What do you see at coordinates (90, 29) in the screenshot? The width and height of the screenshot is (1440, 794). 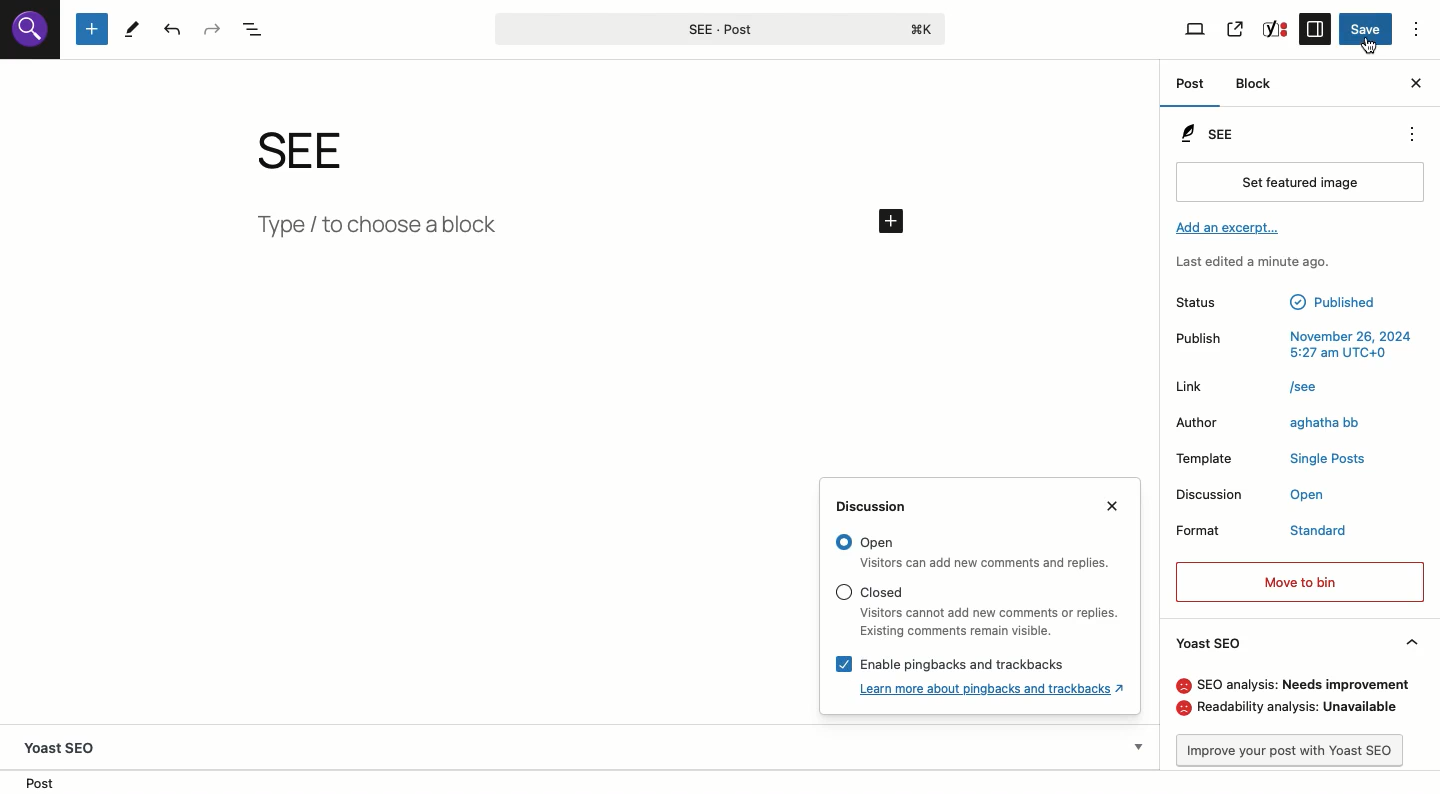 I see `Add new block` at bounding box center [90, 29].